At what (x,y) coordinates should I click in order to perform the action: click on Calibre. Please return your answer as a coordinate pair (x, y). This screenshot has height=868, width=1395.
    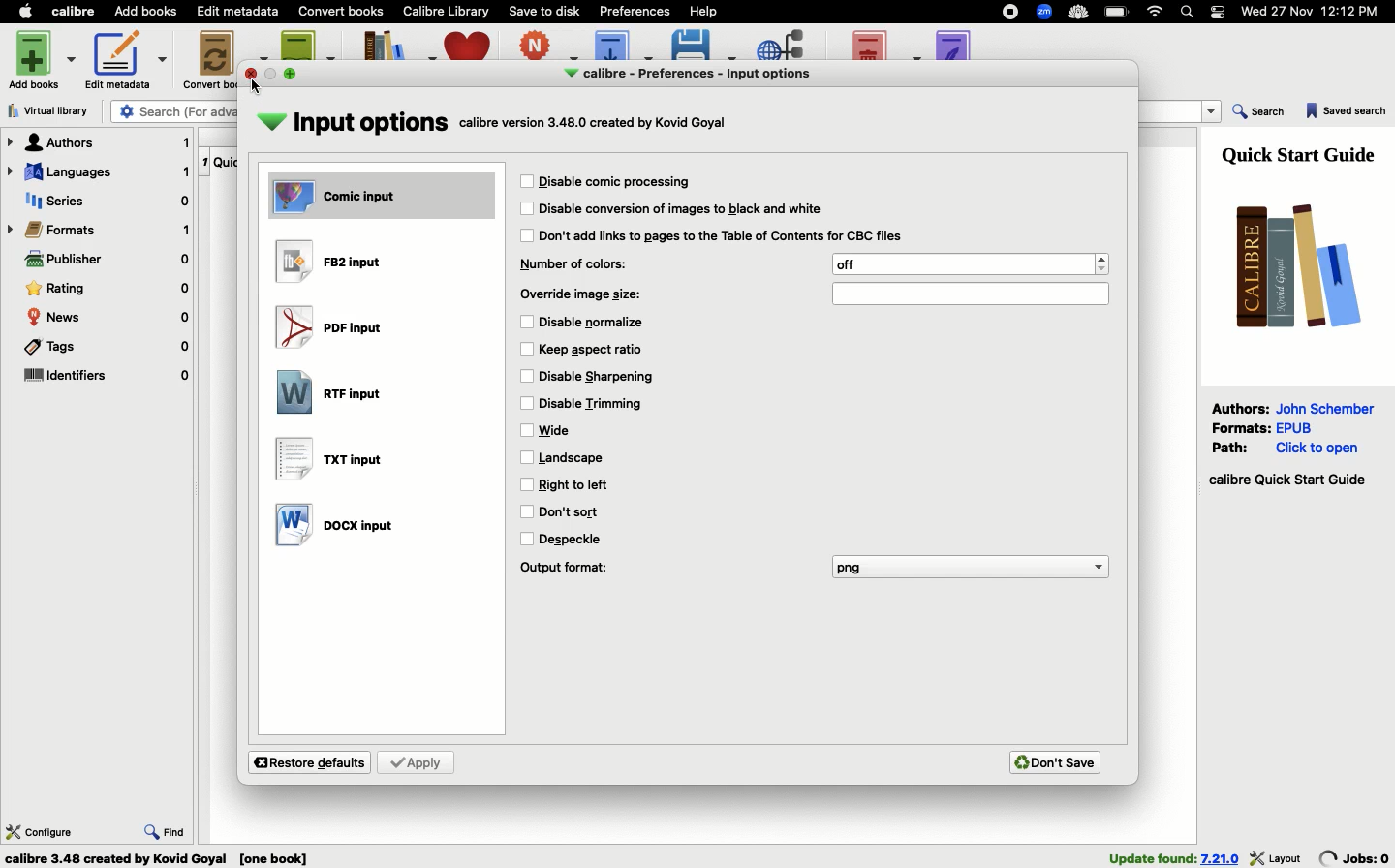
    Looking at the image, I should click on (77, 11).